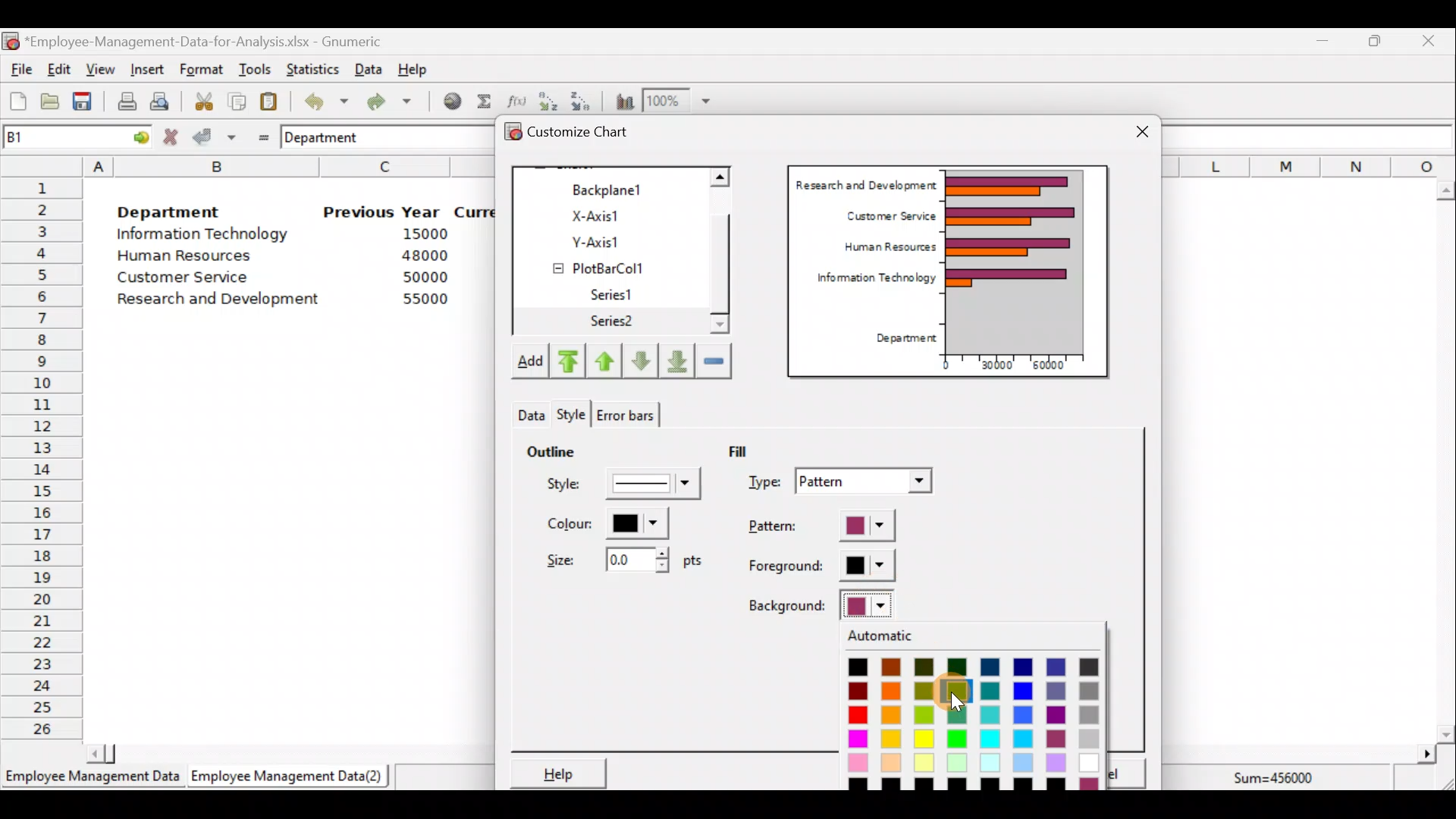 This screenshot has height=819, width=1456. What do you see at coordinates (957, 694) in the screenshot?
I see `Cursor on green color` at bounding box center [957, 694].